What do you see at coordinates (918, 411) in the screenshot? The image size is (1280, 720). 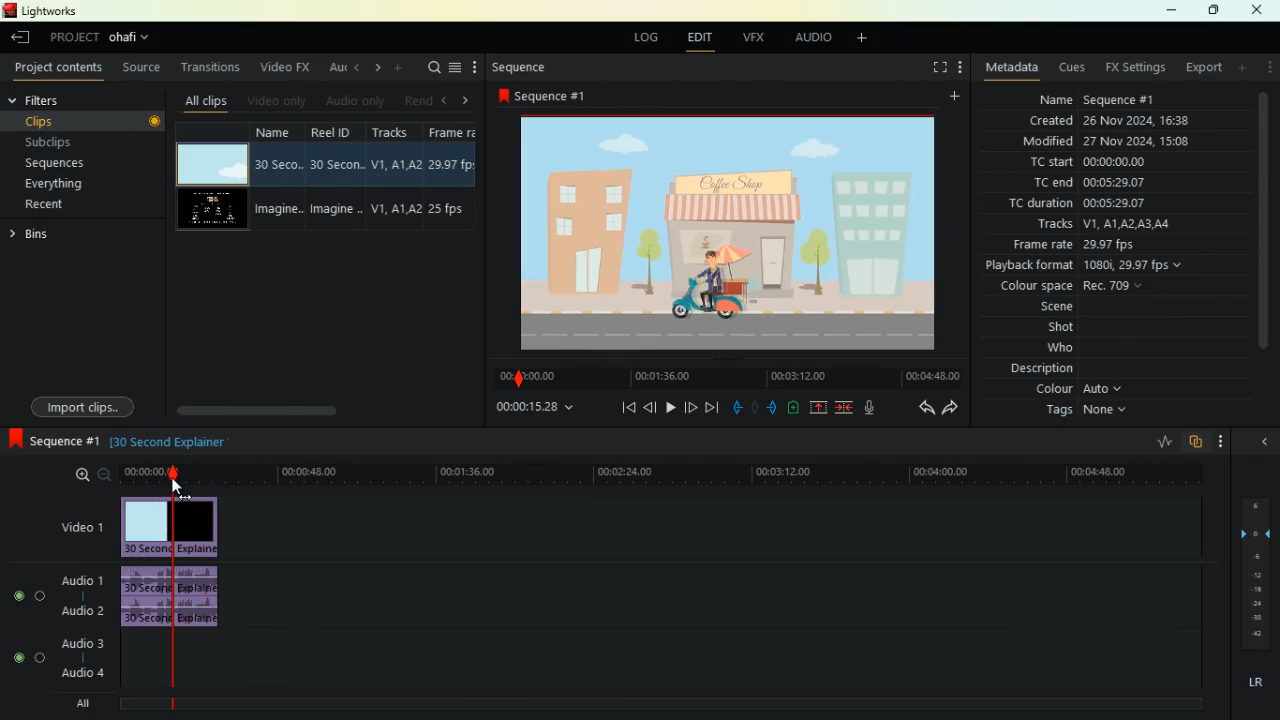 I see `back` at bounding box center [918, 411].